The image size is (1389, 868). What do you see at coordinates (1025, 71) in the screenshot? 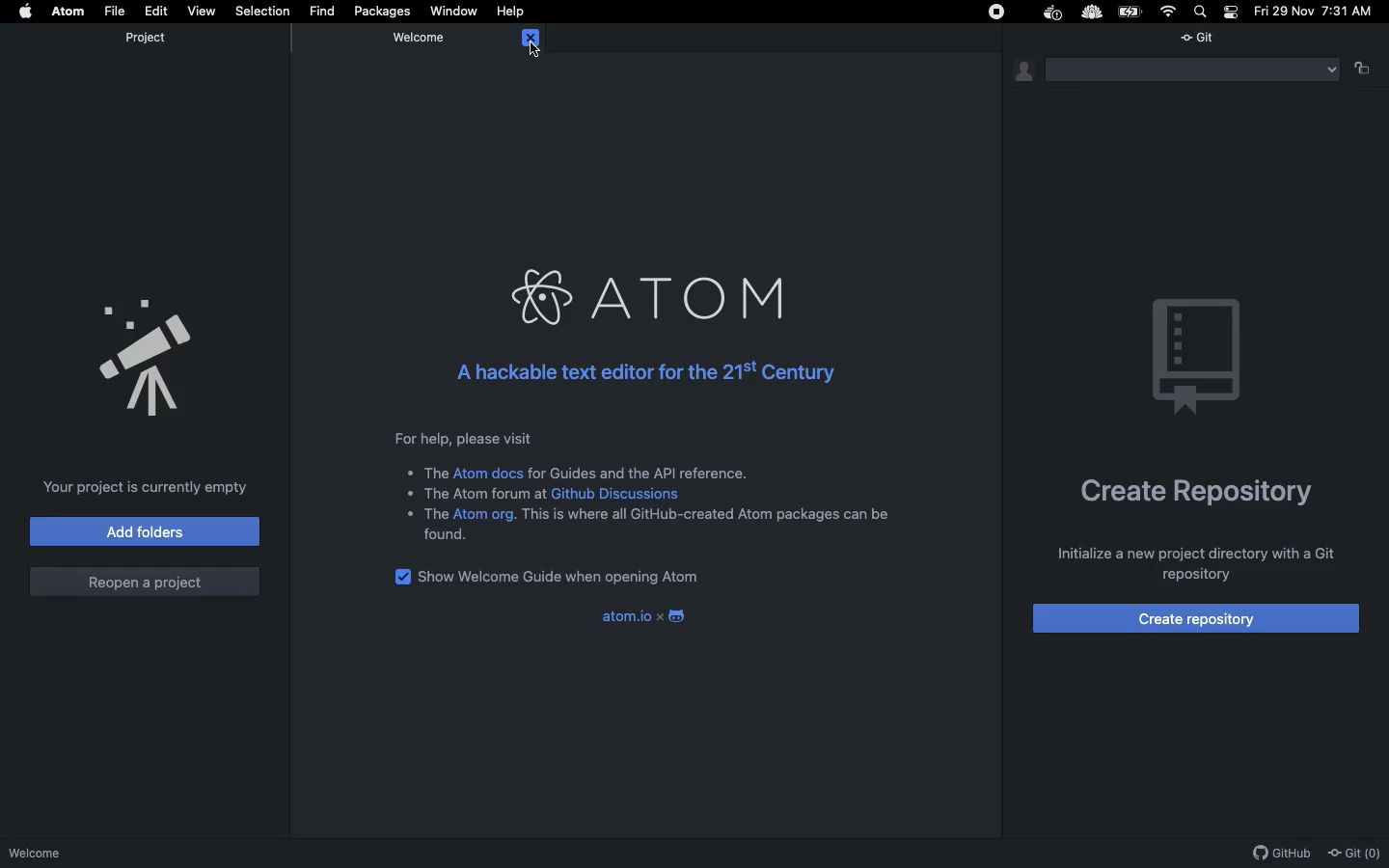
I see `Git identity ` at bounding box center [1025, 71].